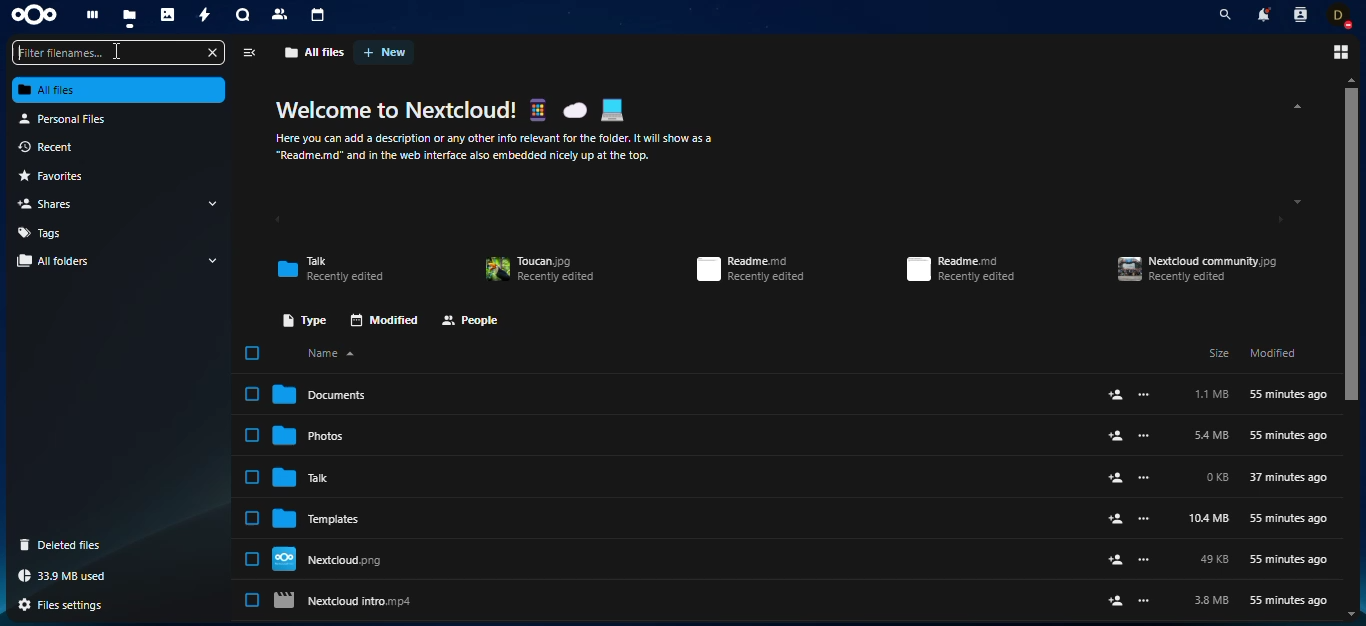 This screenshot has width=1366, height=626. What do you see at coordinates (1299, 14) in the screenshot?
I see `contacts` at bounding box center [1299, 14].